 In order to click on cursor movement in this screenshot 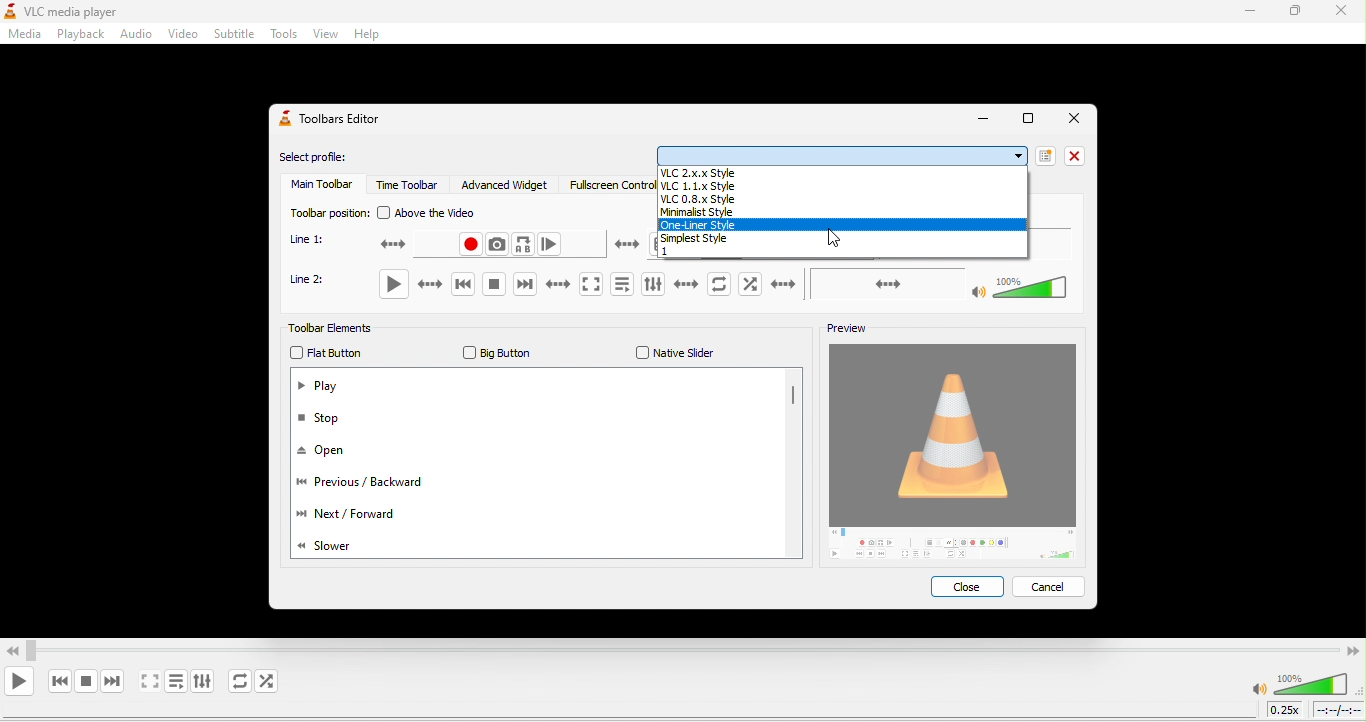, I will do `click(841, 242)`.